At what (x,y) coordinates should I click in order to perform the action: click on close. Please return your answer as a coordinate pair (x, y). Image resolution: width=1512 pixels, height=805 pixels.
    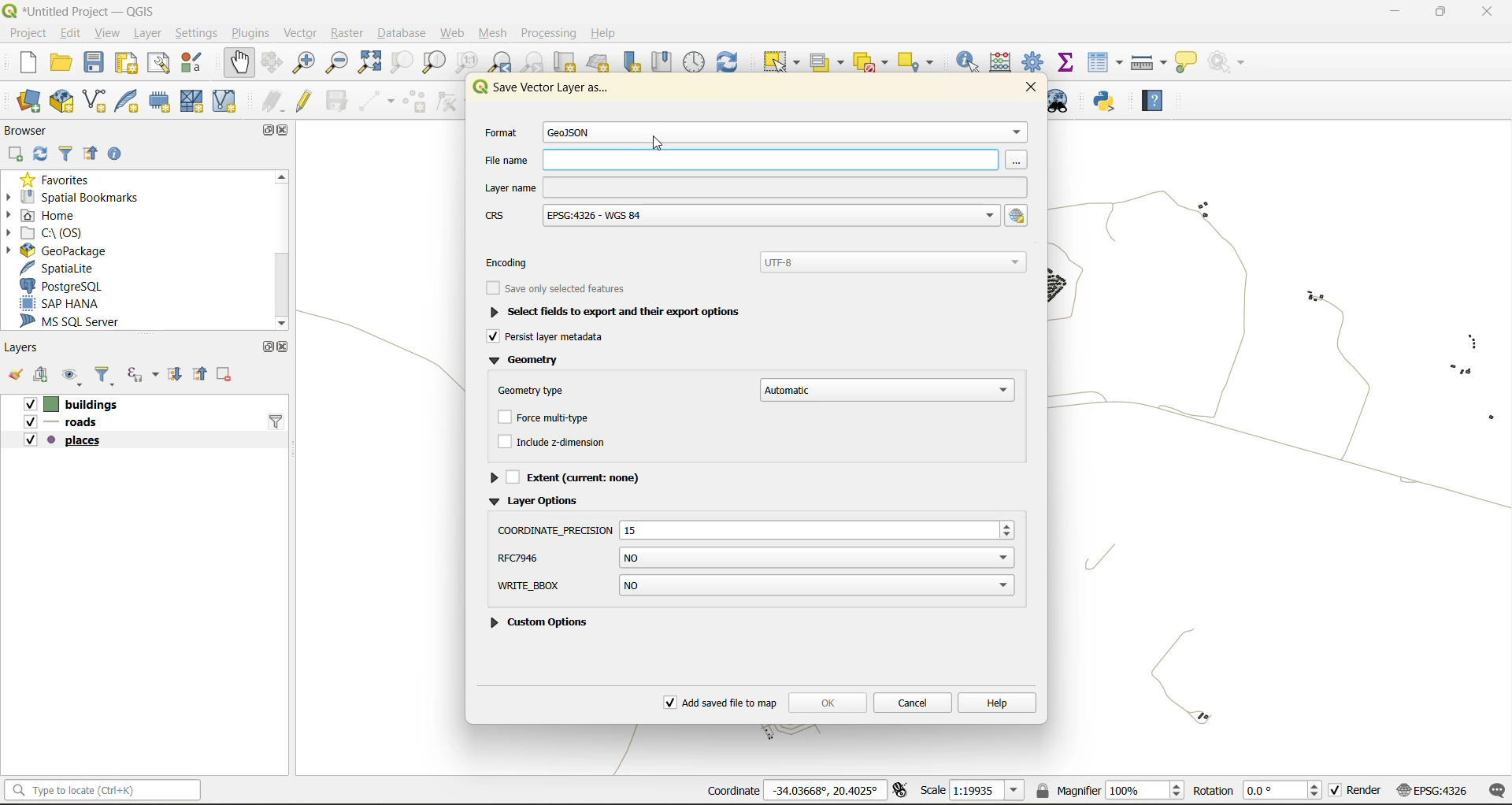
    Looking at the image, I should click on (1484, 13).